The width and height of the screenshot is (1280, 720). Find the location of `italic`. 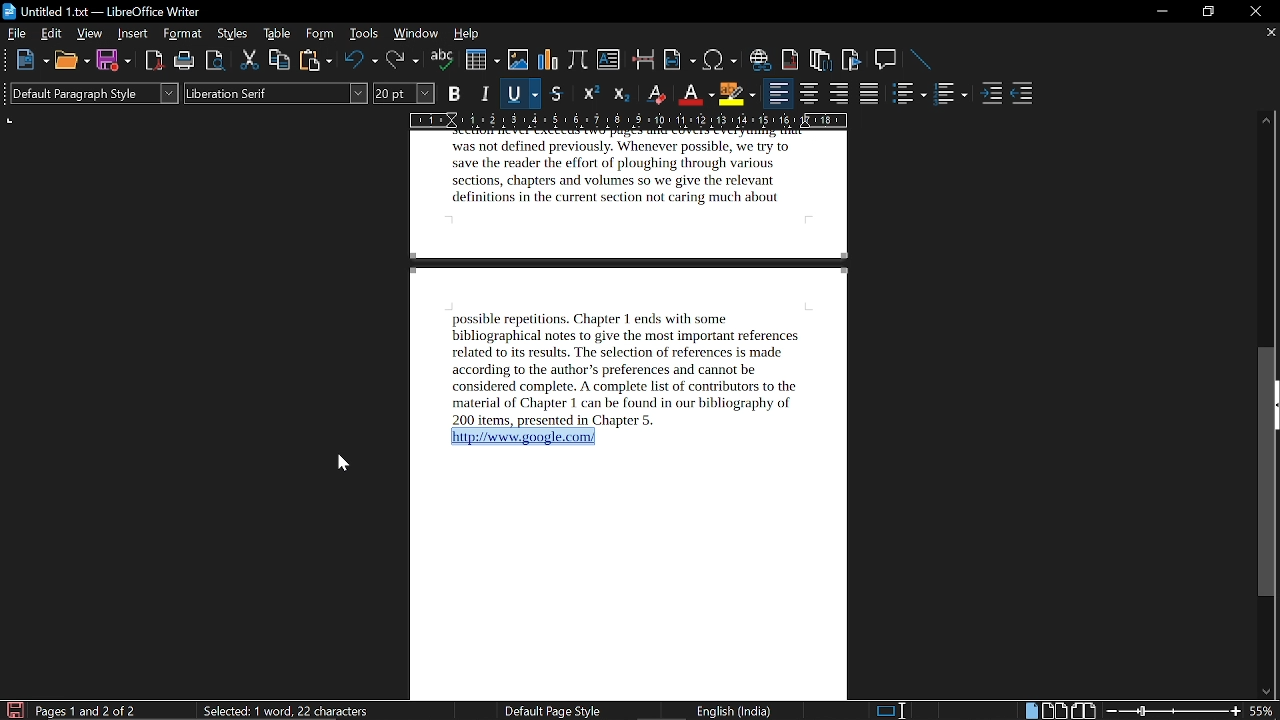

italic is located at coordinates (488, 92).